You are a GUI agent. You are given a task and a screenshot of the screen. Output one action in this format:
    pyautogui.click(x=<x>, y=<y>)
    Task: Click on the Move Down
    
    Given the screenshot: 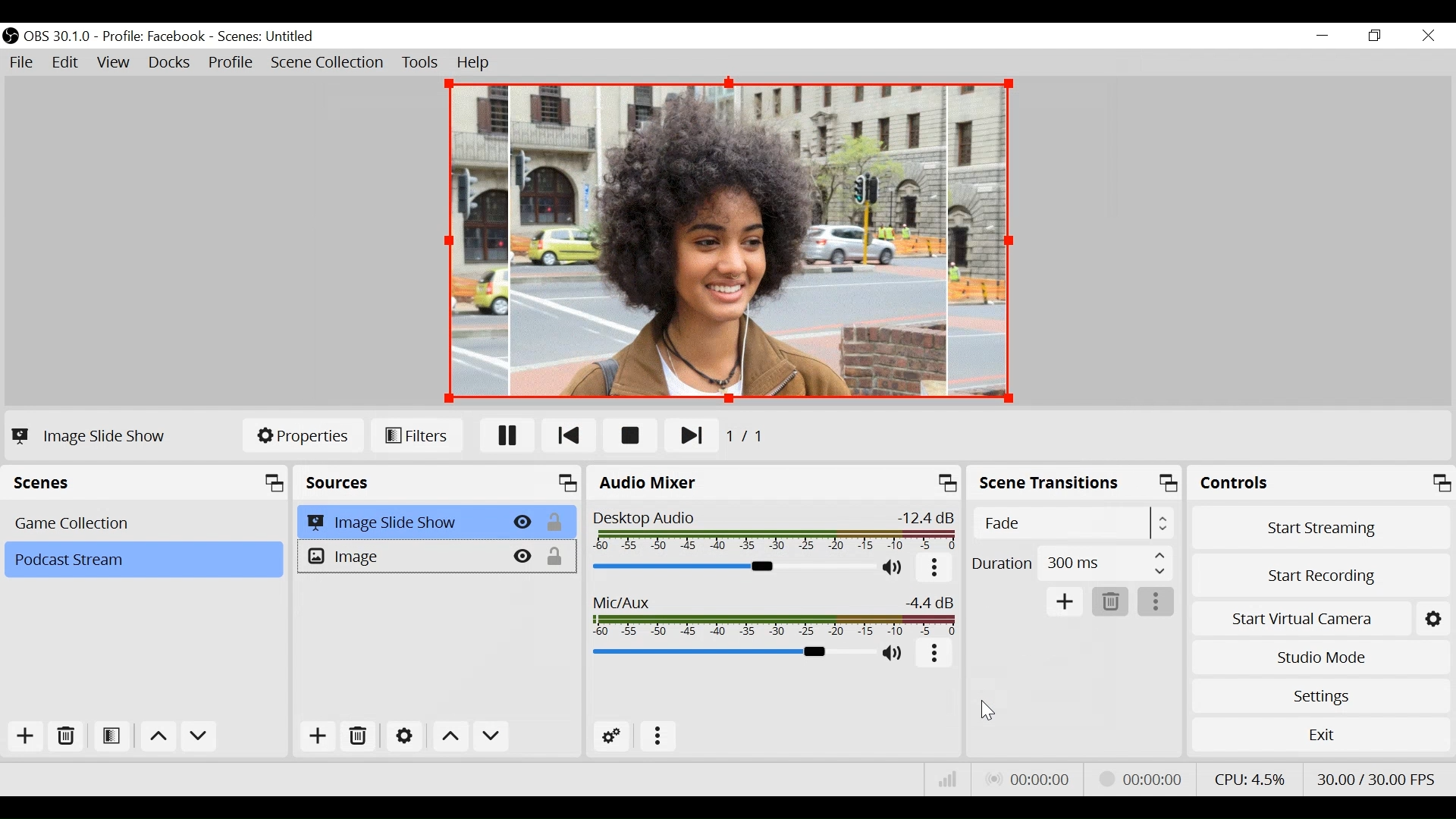 What is the action you would take?
    pyautogui.click(x=199, y=739)
    